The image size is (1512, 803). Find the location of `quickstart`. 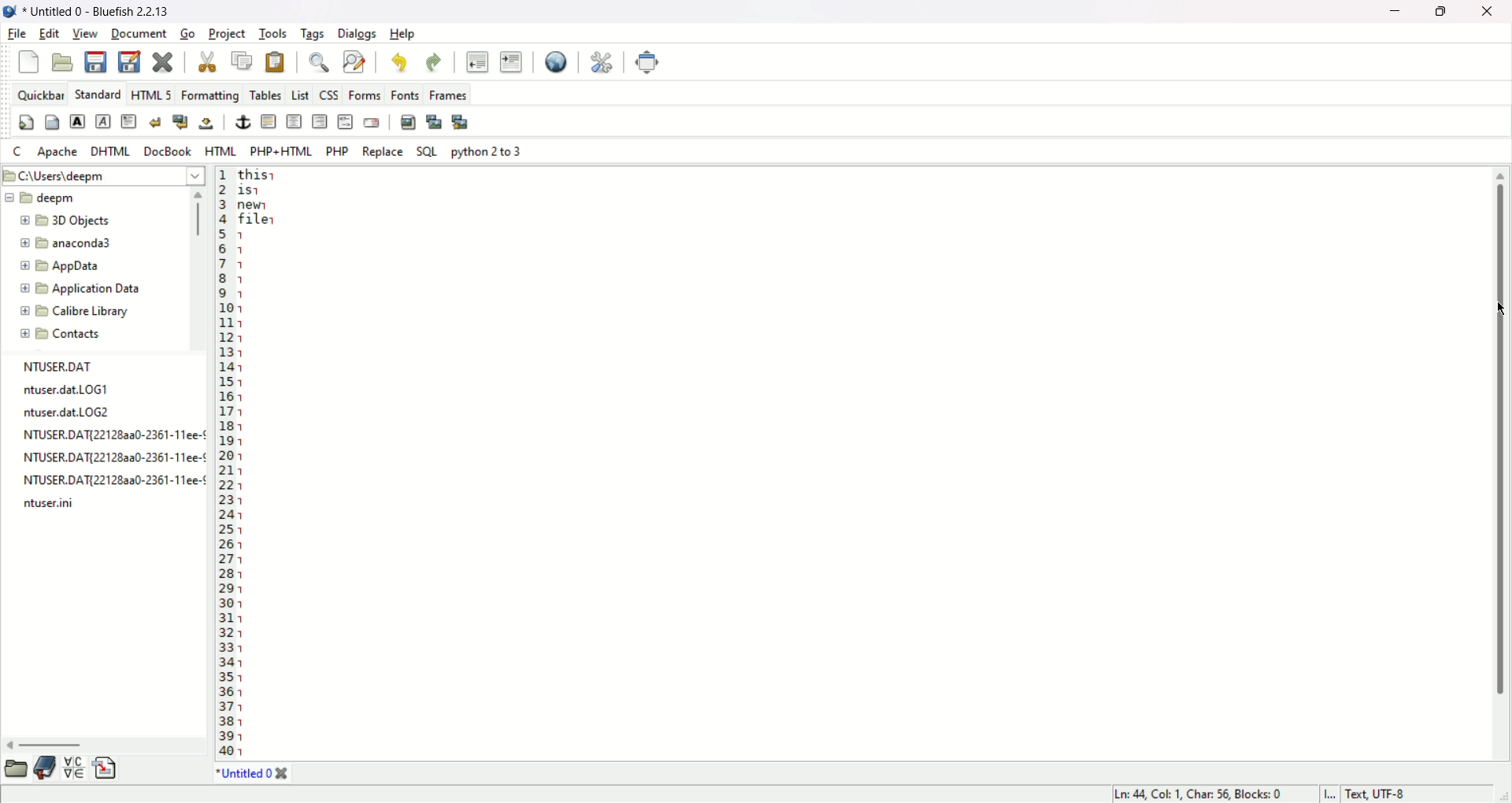

quickstart is located at coordinates (25, 124).